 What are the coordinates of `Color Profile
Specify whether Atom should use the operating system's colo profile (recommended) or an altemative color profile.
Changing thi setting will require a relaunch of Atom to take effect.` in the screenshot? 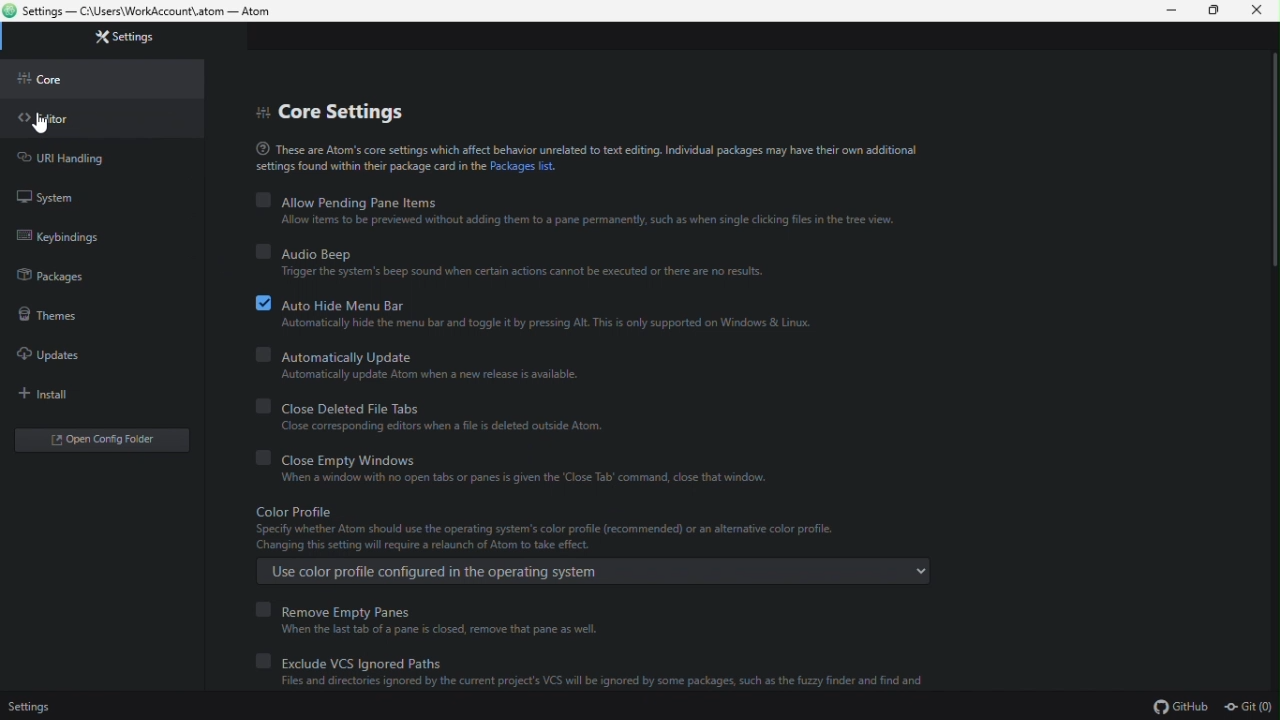 It's located at (560, 526).